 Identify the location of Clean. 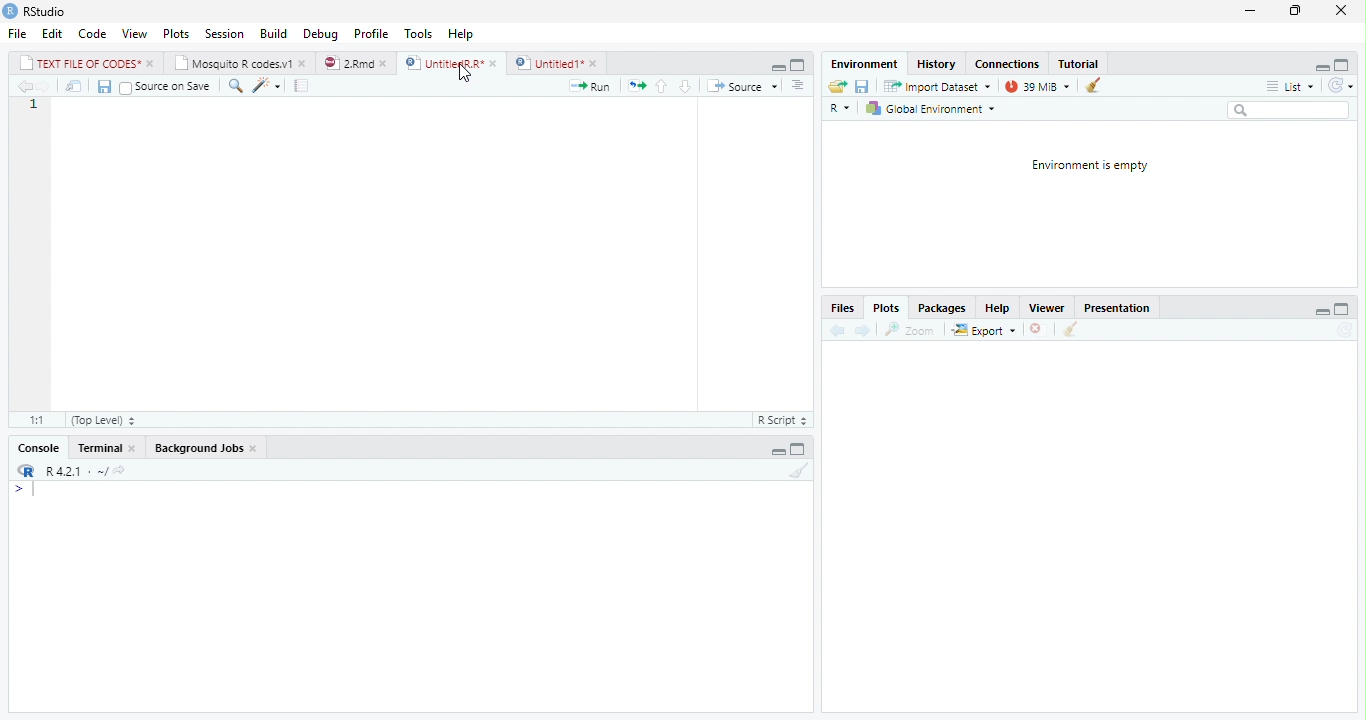
(1071, 330).